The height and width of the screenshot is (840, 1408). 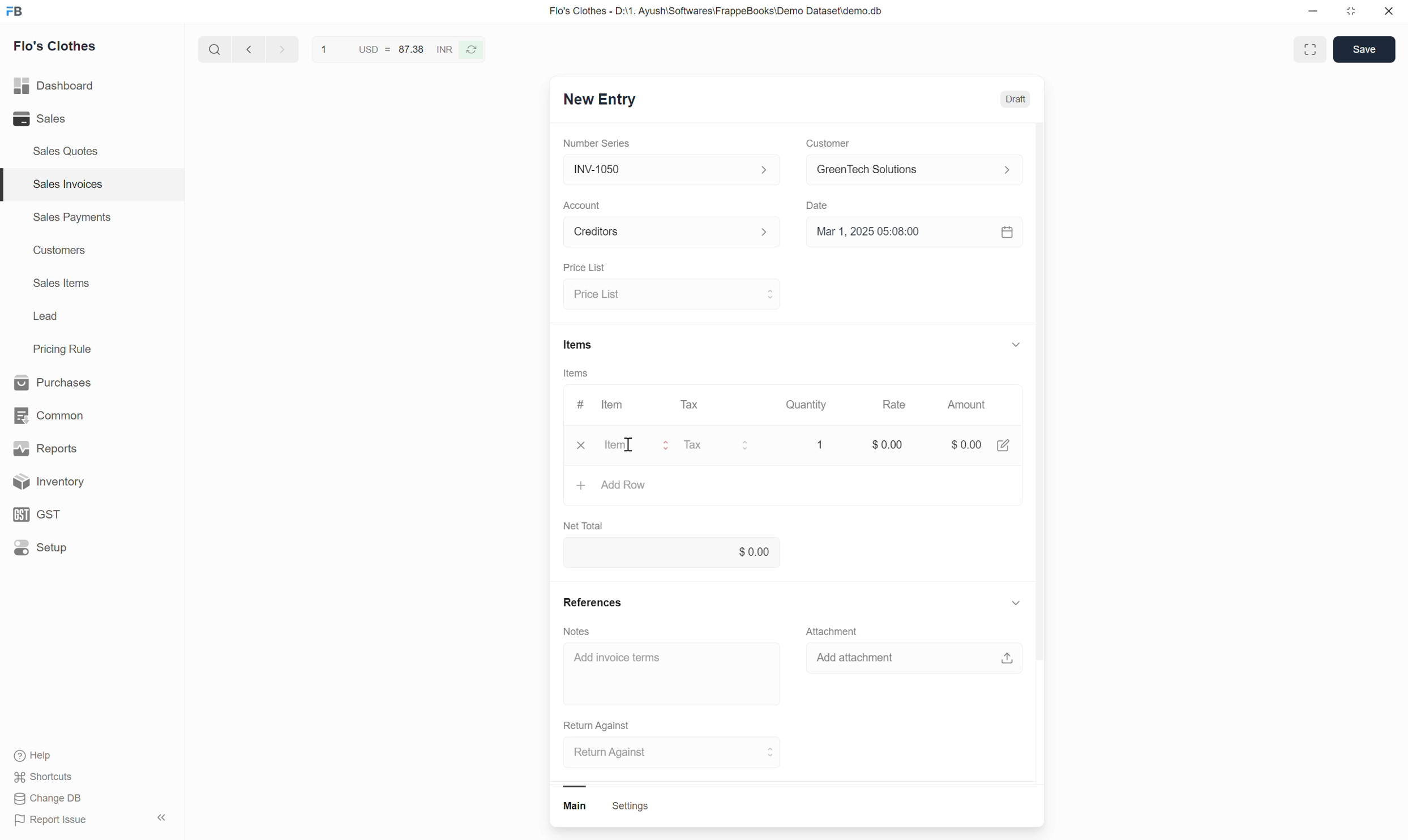 What do you see at coordinates (665, 753) in the screenshot?
I see `select return against ` at bounding box center [665, 753].